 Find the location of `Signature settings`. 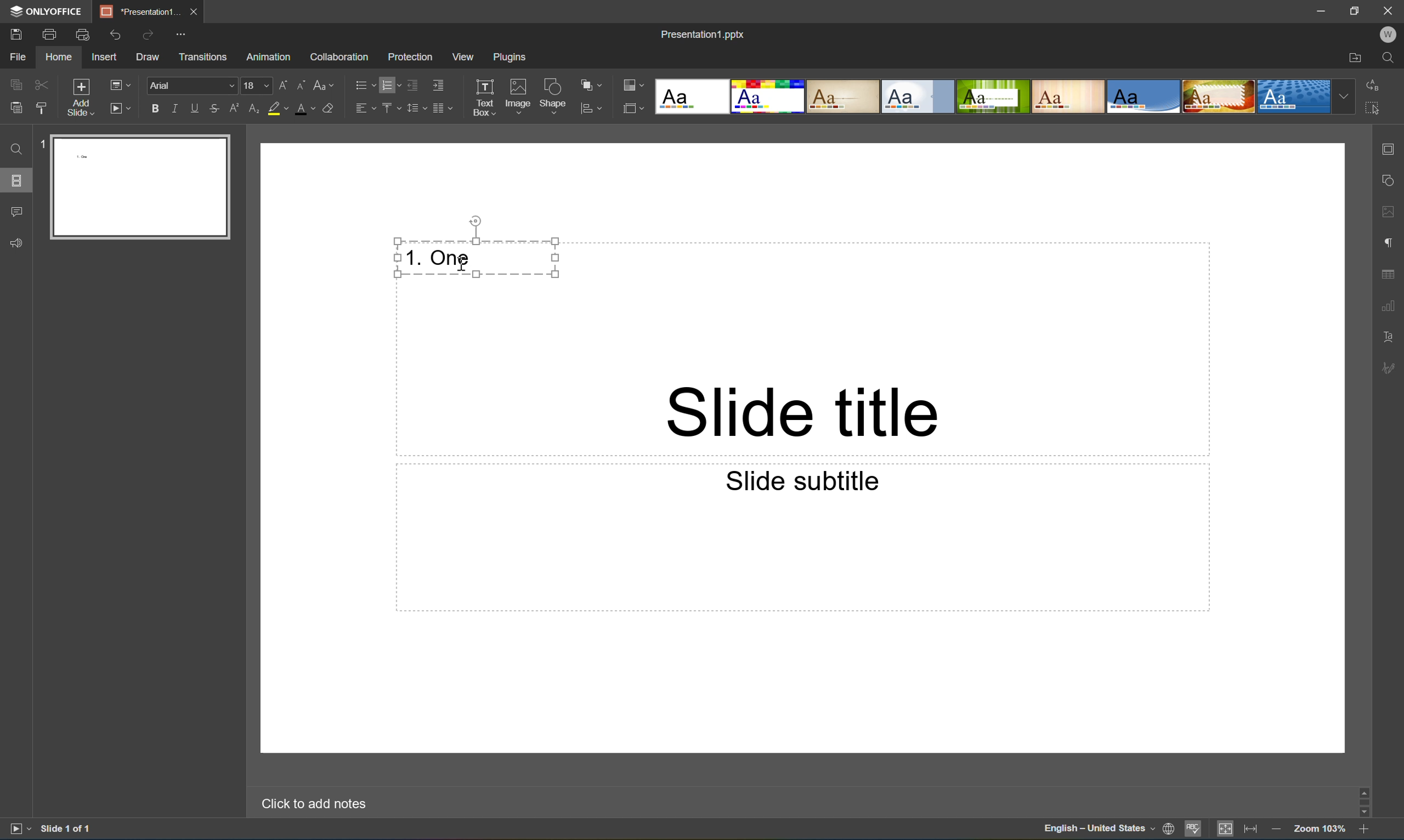

Signature settings is located at coordinates (1391, 368).